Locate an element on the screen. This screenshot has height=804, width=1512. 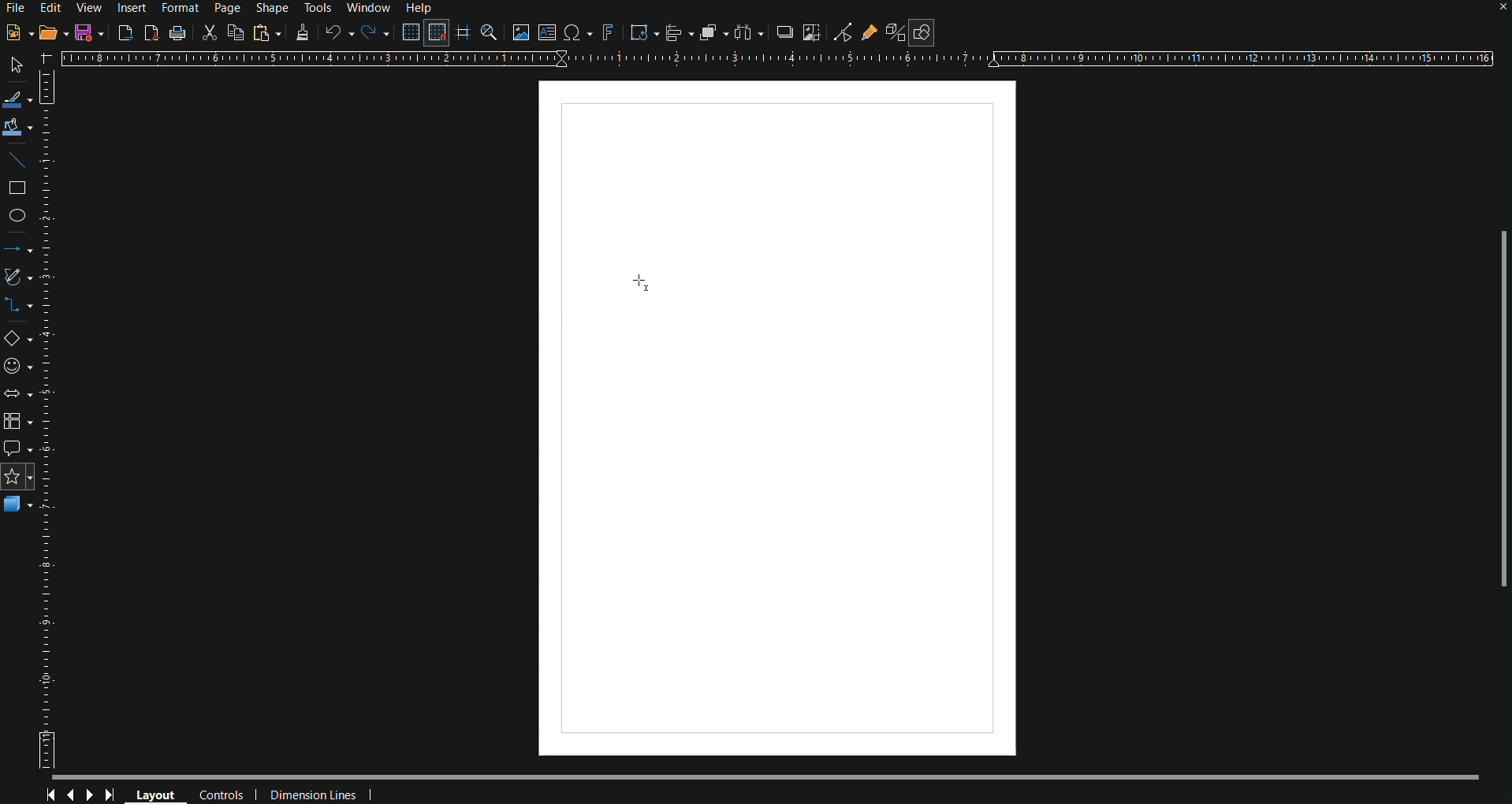
Callout Shapes is located at coordinates (19, 450).